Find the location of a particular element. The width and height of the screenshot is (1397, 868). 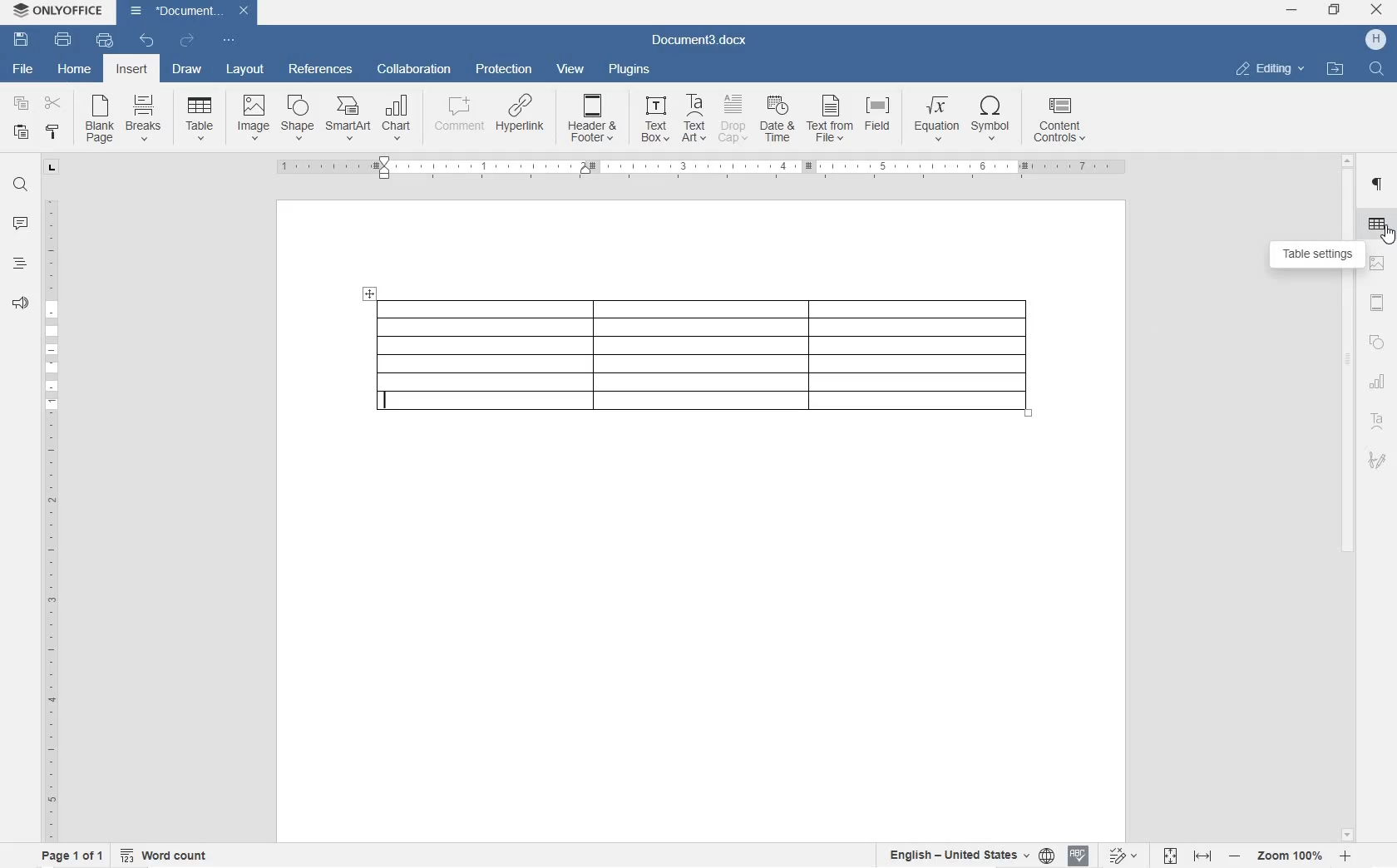

SHAPE is located at coordinates (299, 119).